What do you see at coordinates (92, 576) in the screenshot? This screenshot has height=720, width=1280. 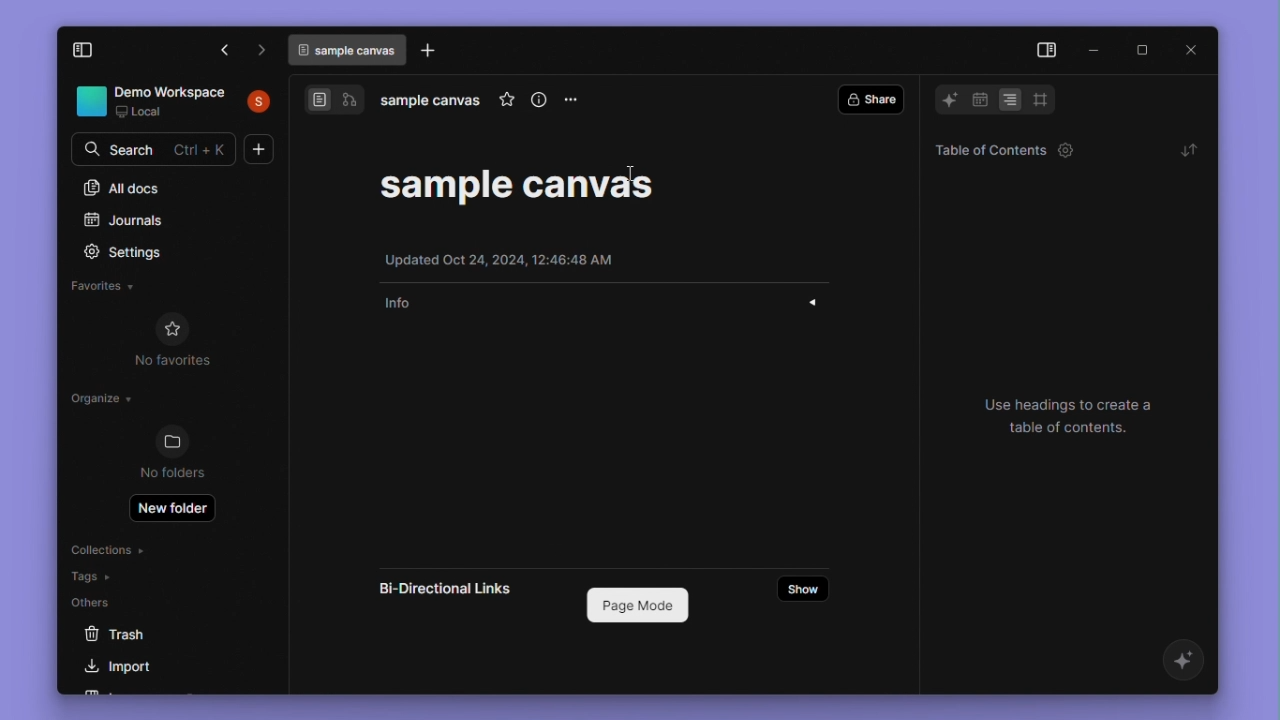 I see `tags` at bounding box center [92, 576].